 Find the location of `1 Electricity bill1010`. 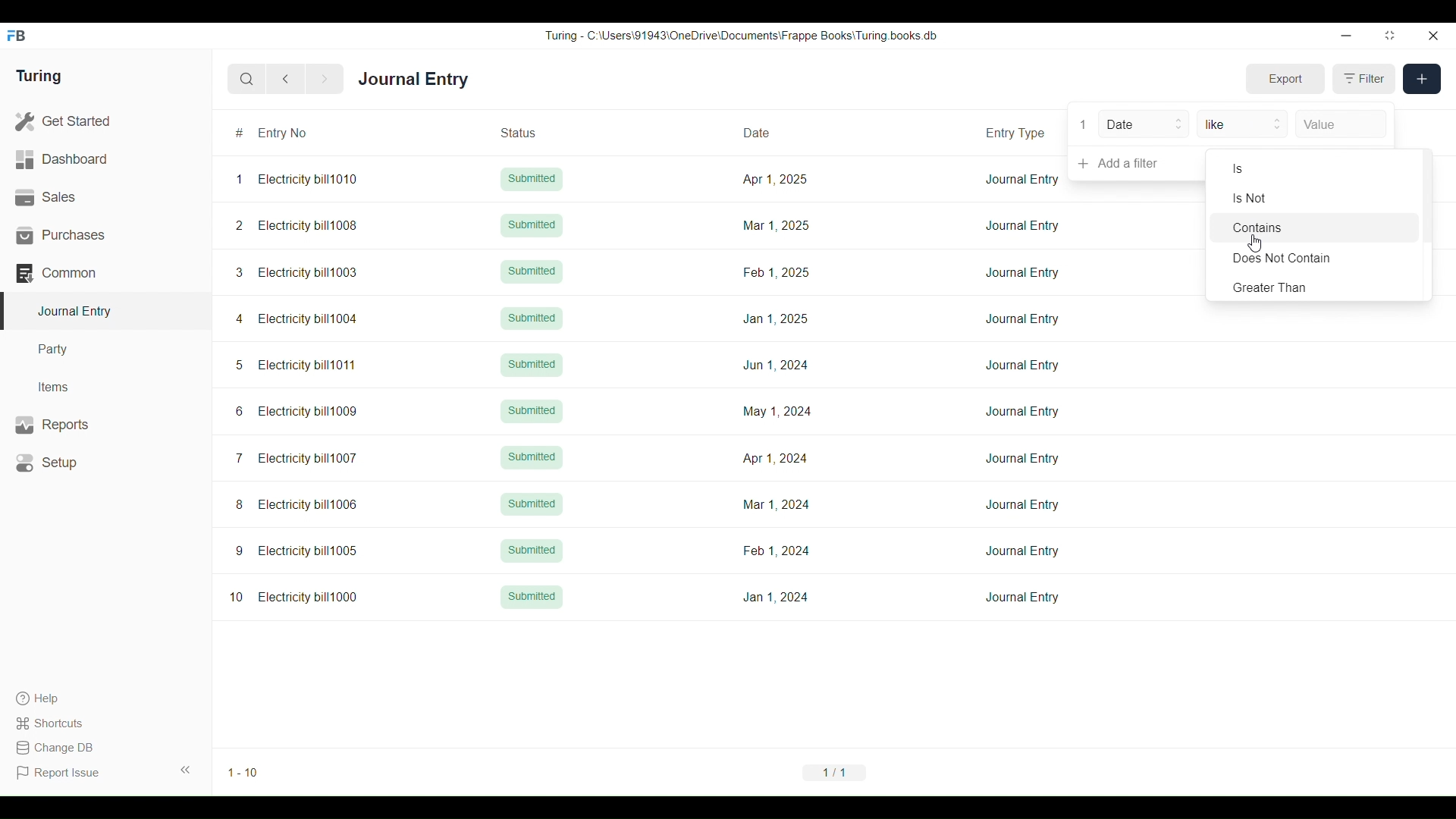

1 Electricity bill1010 is located at coordinates (297, 179).